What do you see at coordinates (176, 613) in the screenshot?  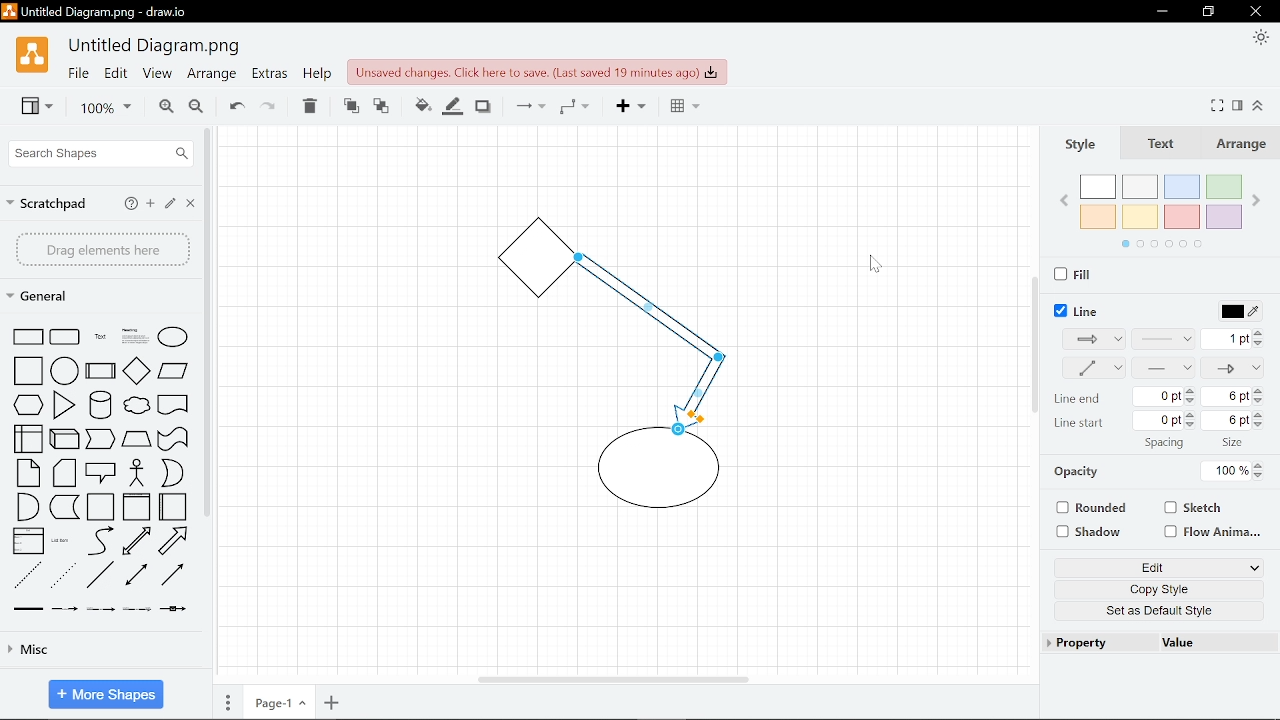 I see `shape` at bounding box center [176, 613].